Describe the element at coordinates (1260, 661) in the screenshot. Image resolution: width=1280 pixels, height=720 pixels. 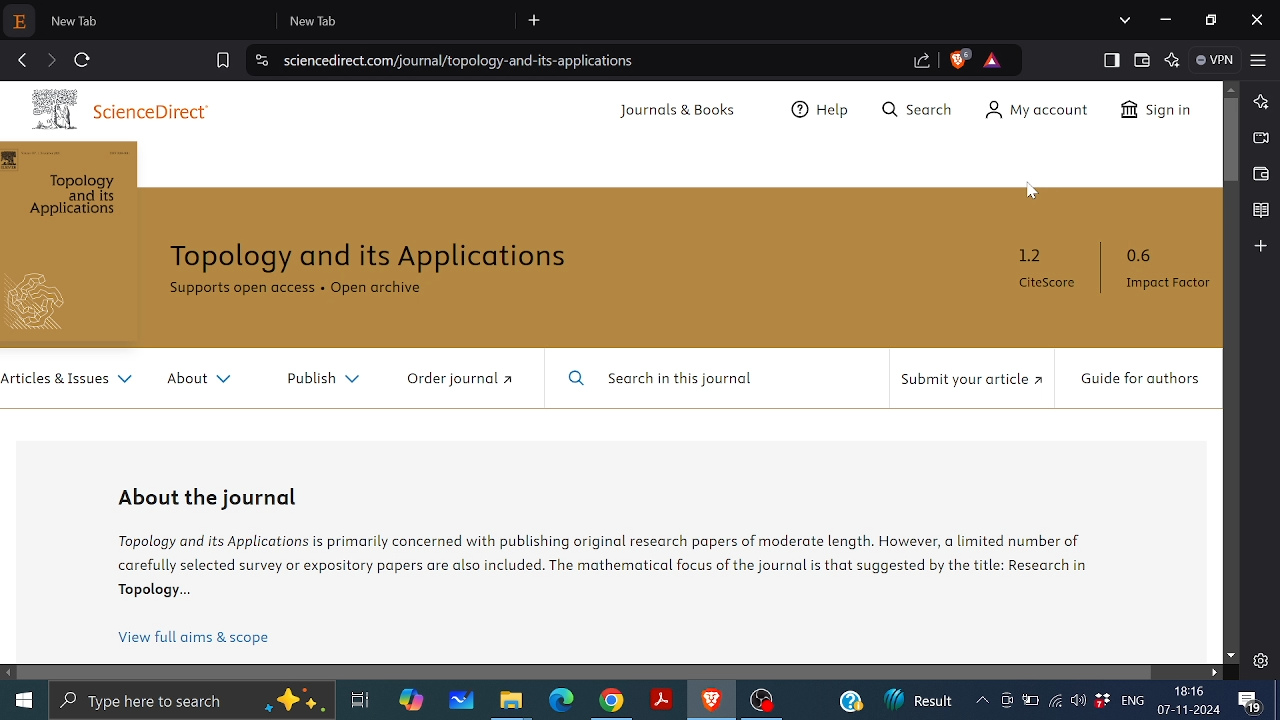
I see `Settings` at that location.